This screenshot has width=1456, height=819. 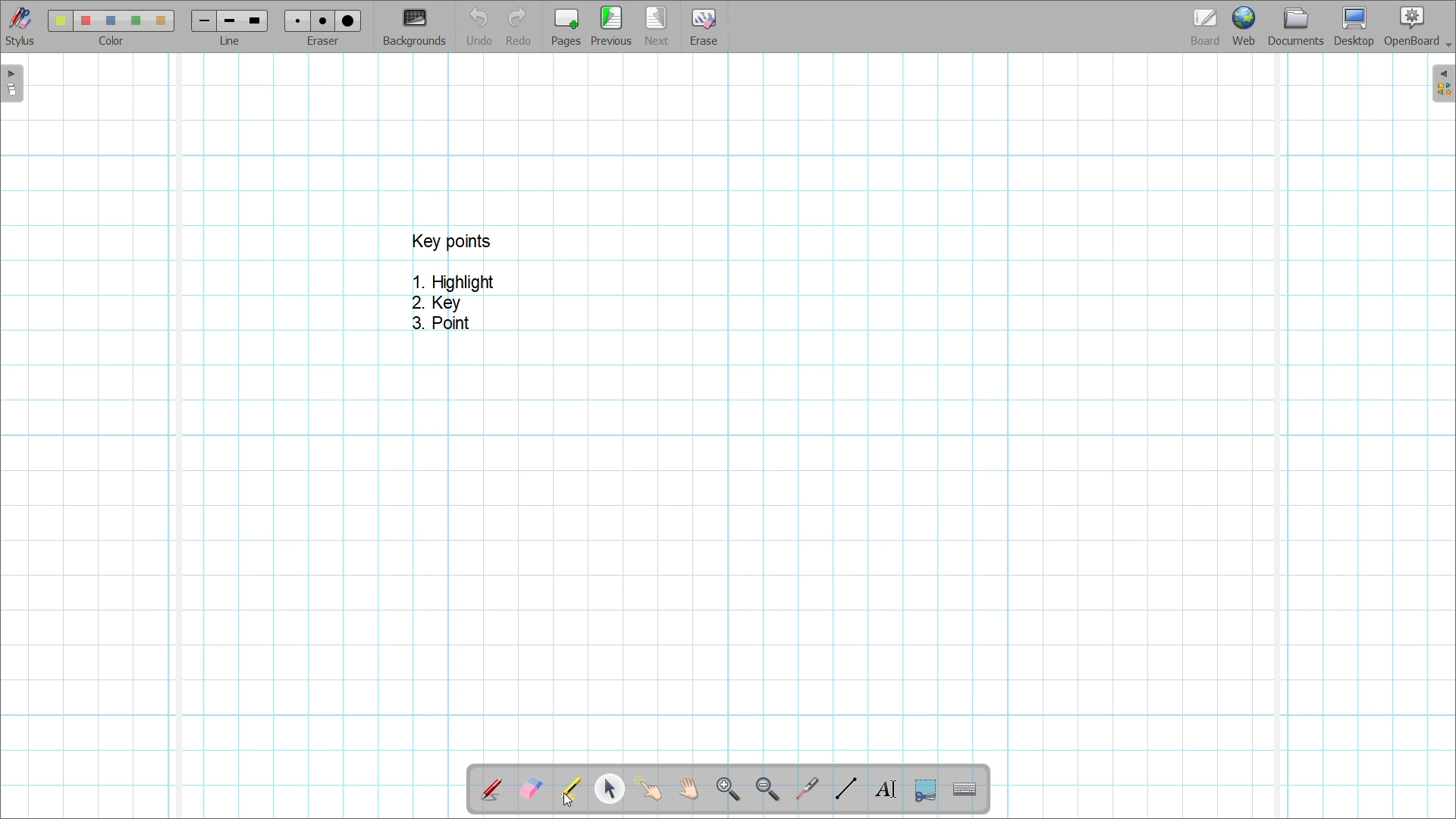 I want to click on Desktop, so click(x=1354, y=27).